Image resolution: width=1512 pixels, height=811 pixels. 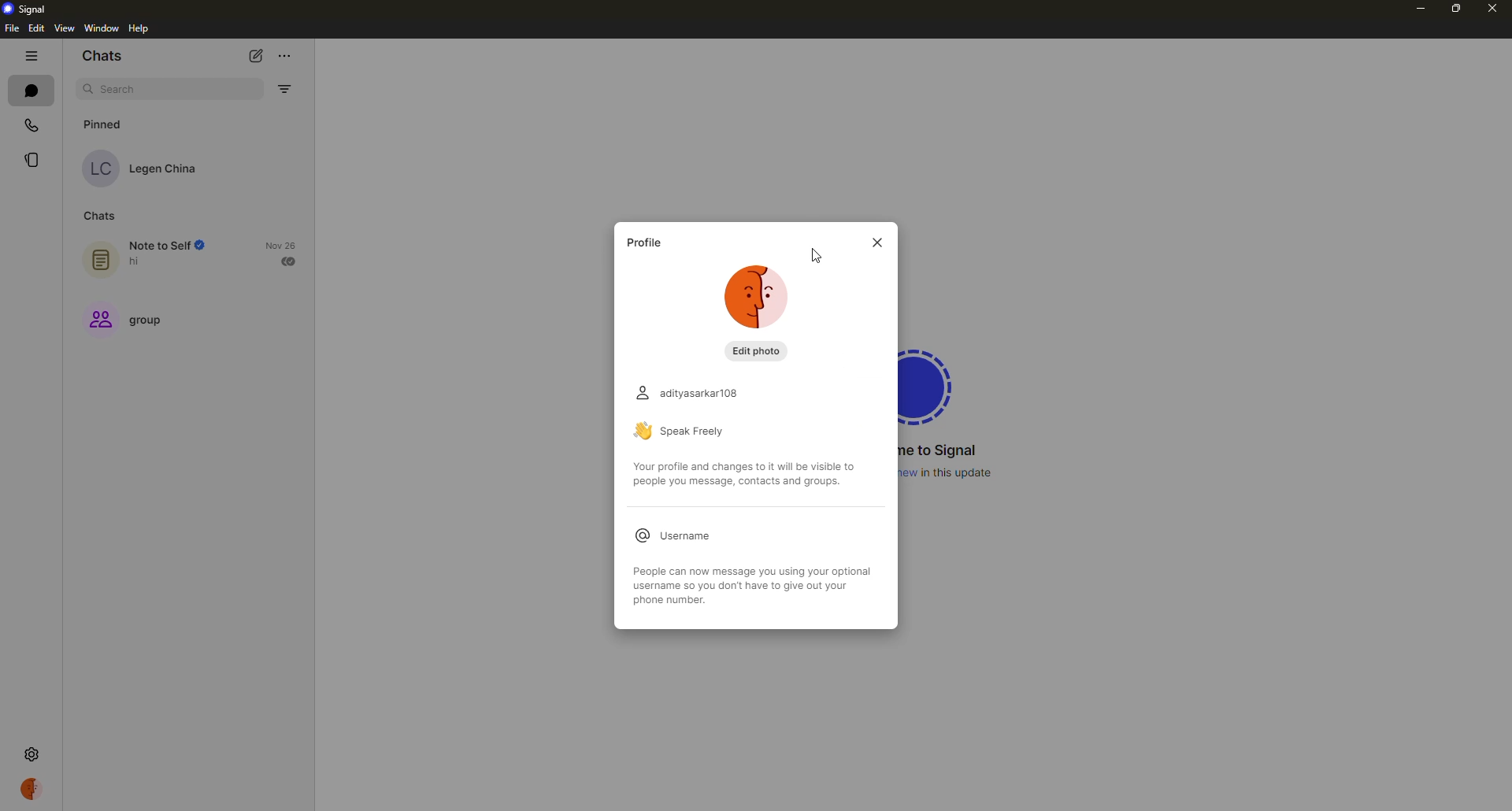 What do you see at coordinates (757, 299) in the screenshot?
I see `image` at bounding box center [757, 299].